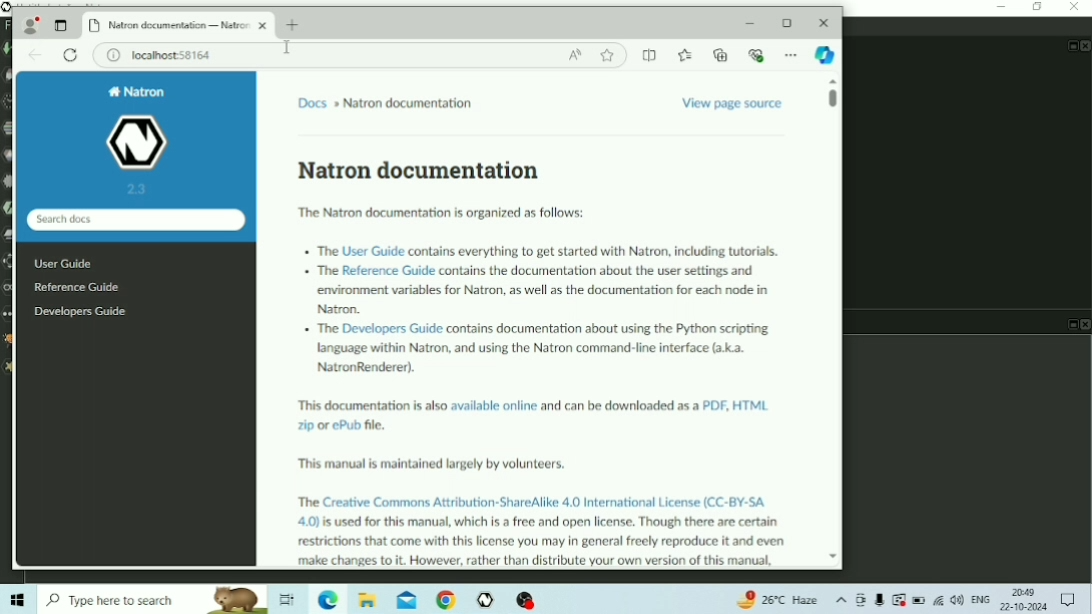 The image size is (1092, 614). I want to click on Google Chrome, so click(446, 600).